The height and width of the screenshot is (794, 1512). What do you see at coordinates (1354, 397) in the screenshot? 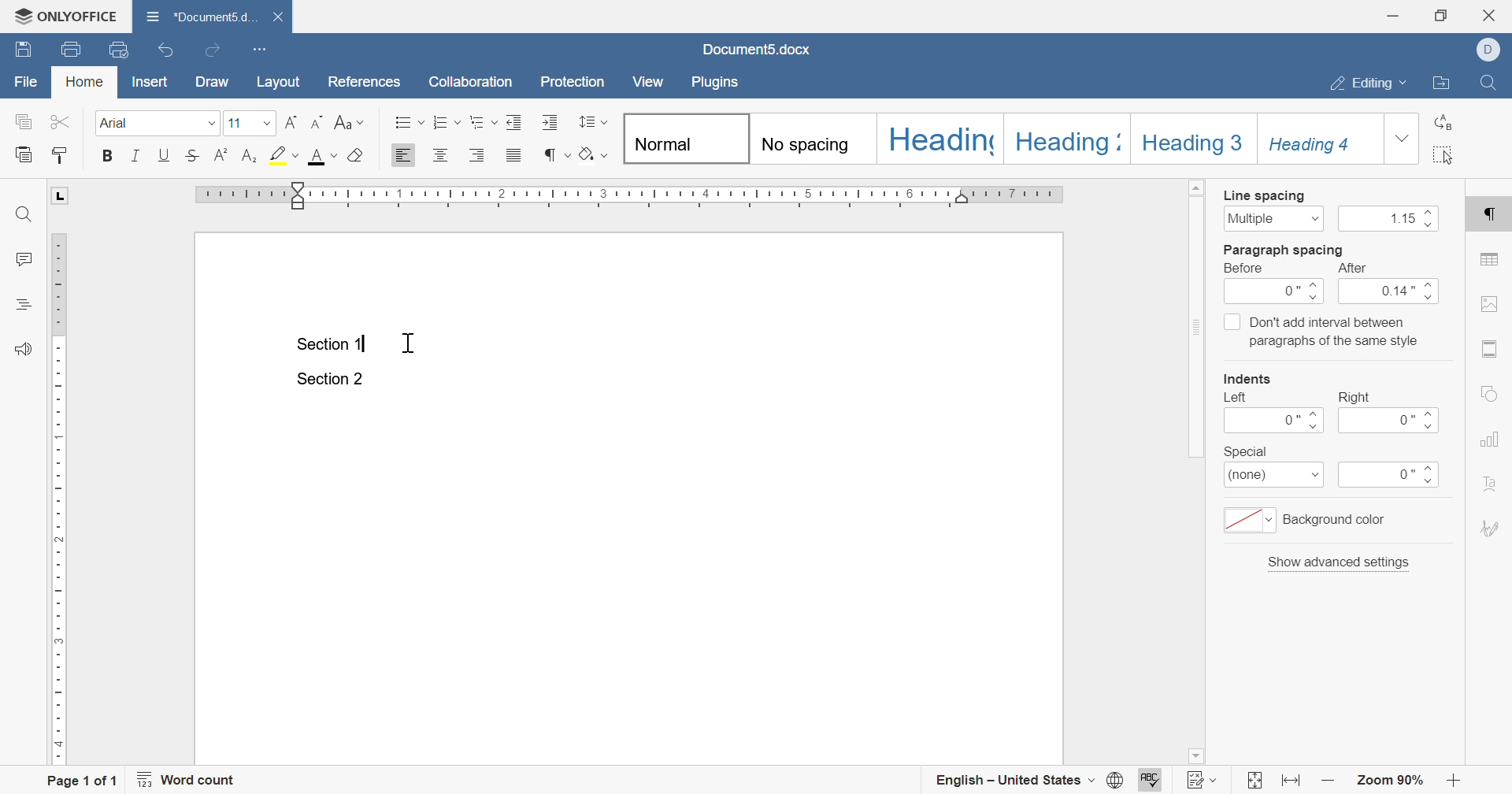
I see `right` at bounding box center [1354, 397].